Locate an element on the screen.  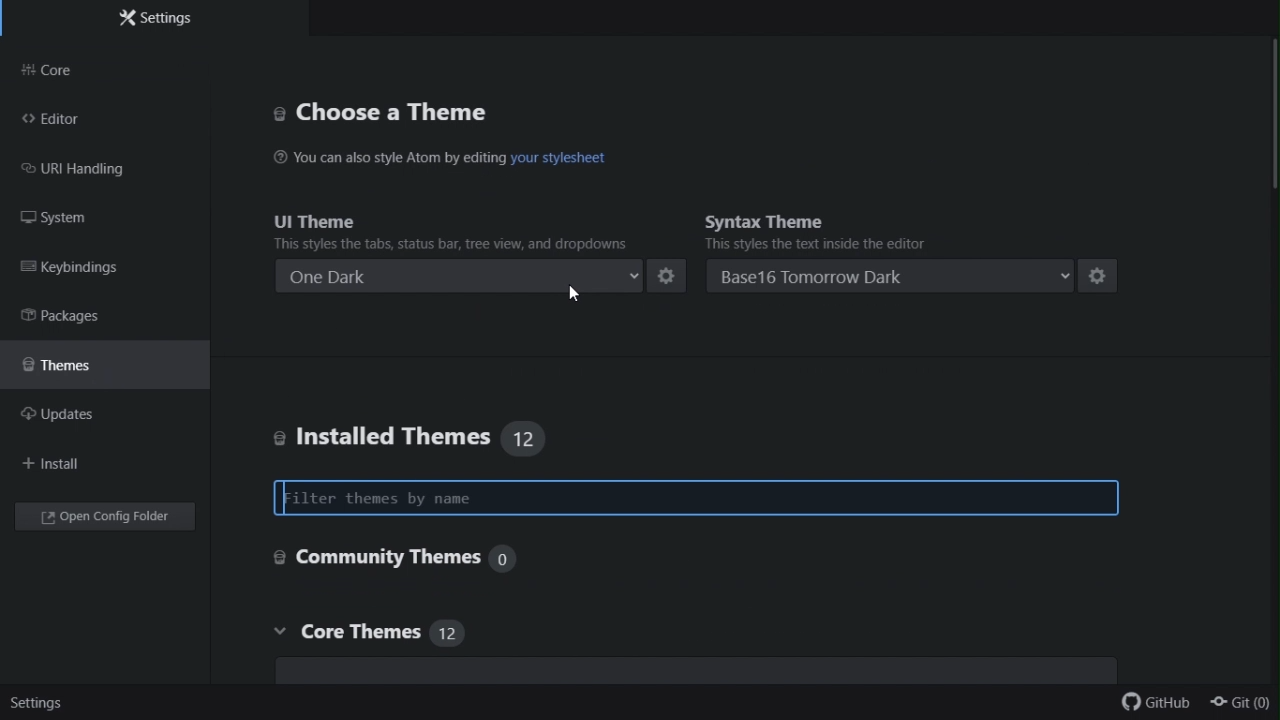
Updates is located at coordinates (74, 416).